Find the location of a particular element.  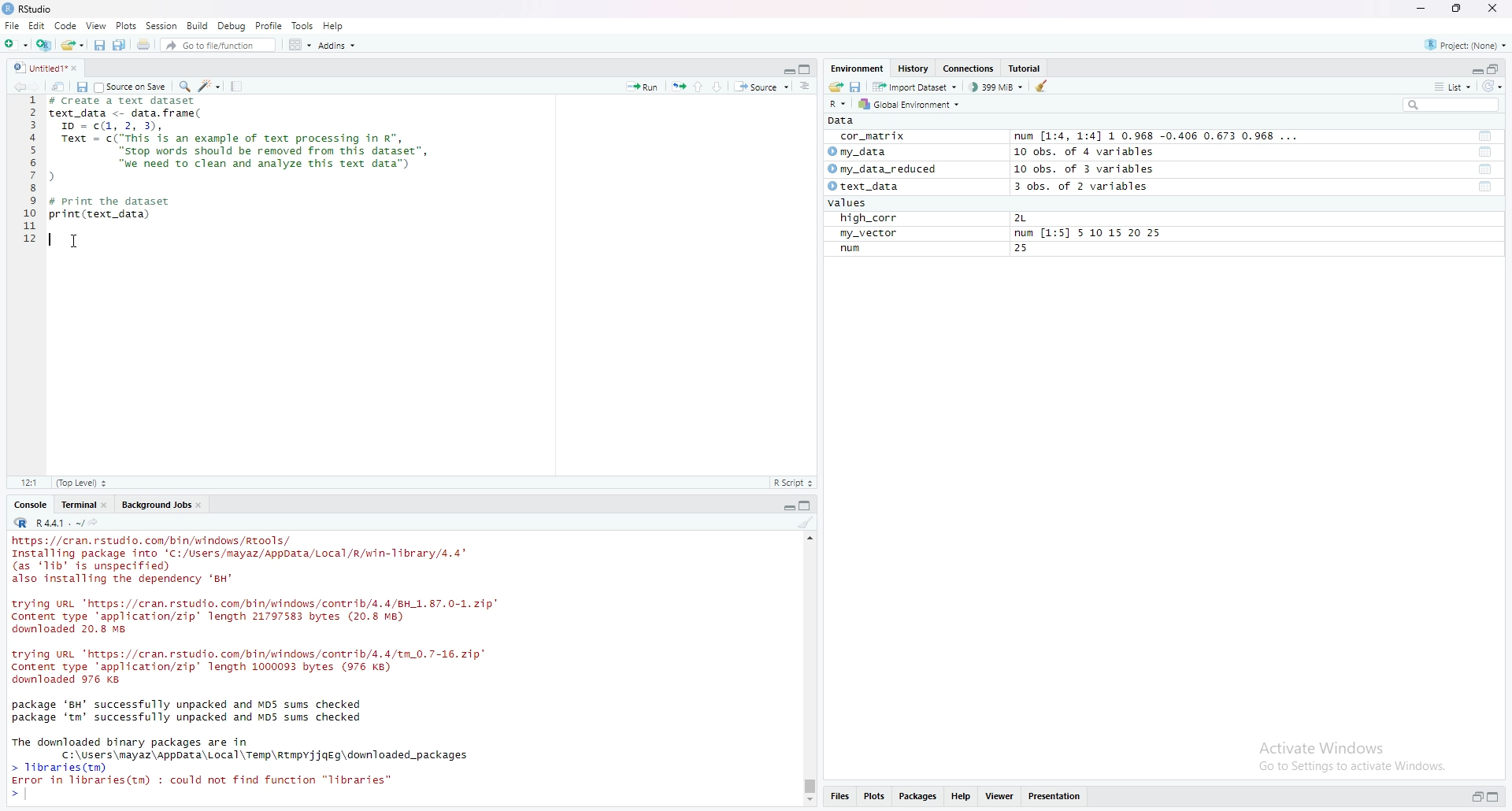

list is located at coordinates (1456, 87).